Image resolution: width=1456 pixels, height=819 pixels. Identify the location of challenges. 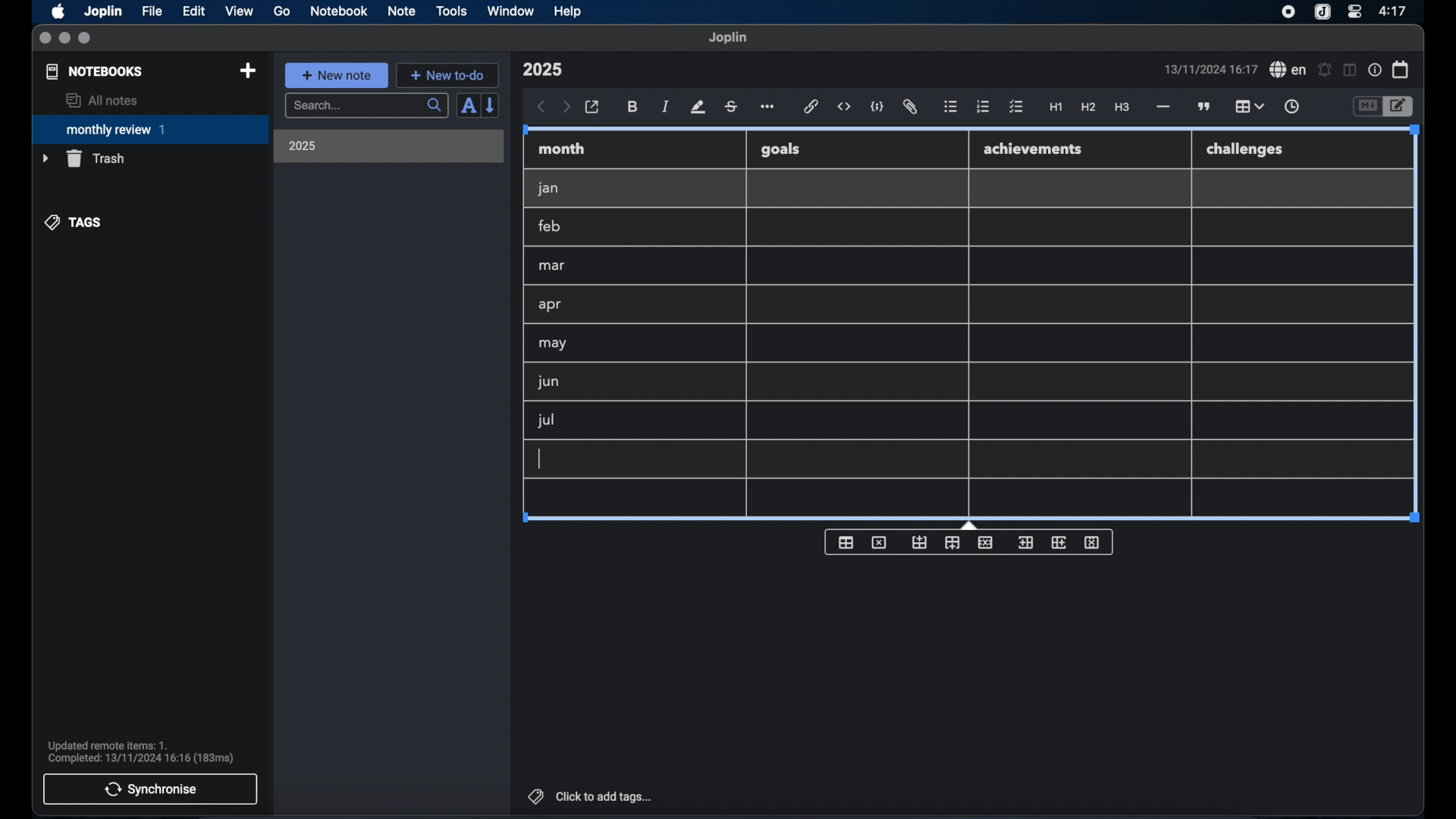
(1246, 150).